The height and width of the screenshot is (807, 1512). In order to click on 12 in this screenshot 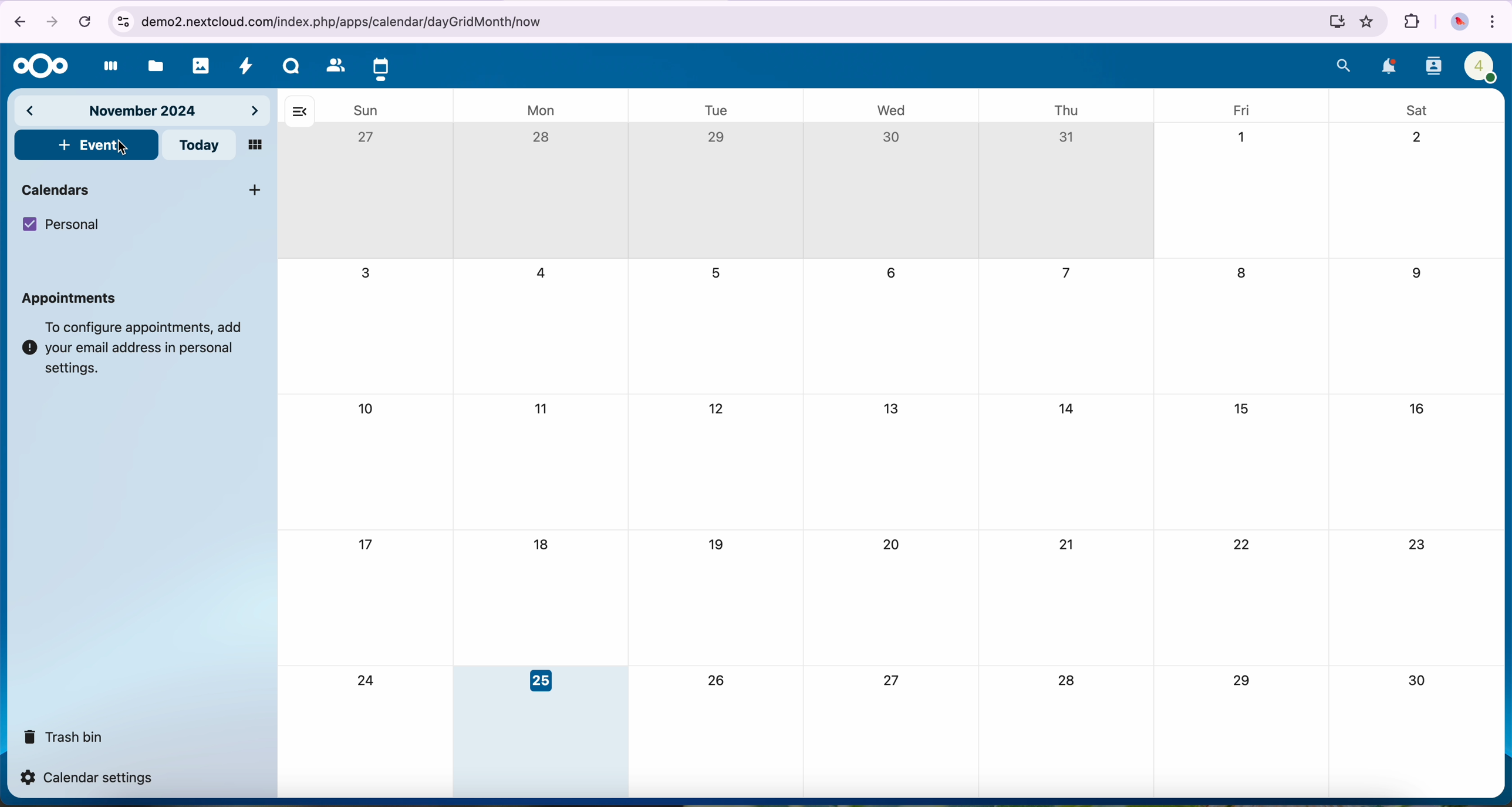, I will do `click(717, 410)`.